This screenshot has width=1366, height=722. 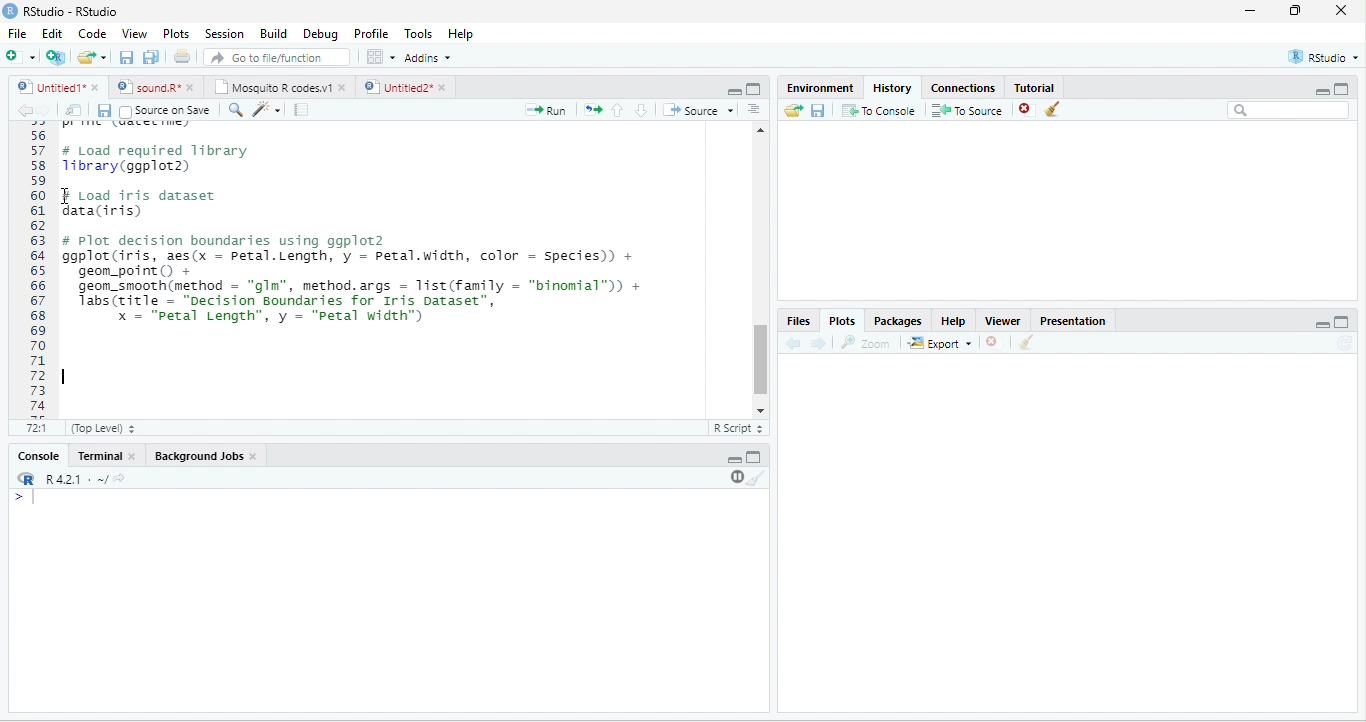 What do you see at coordinates (103, 429) in the screenshot?
I see `Top Level` at bounding box center [103, 429].